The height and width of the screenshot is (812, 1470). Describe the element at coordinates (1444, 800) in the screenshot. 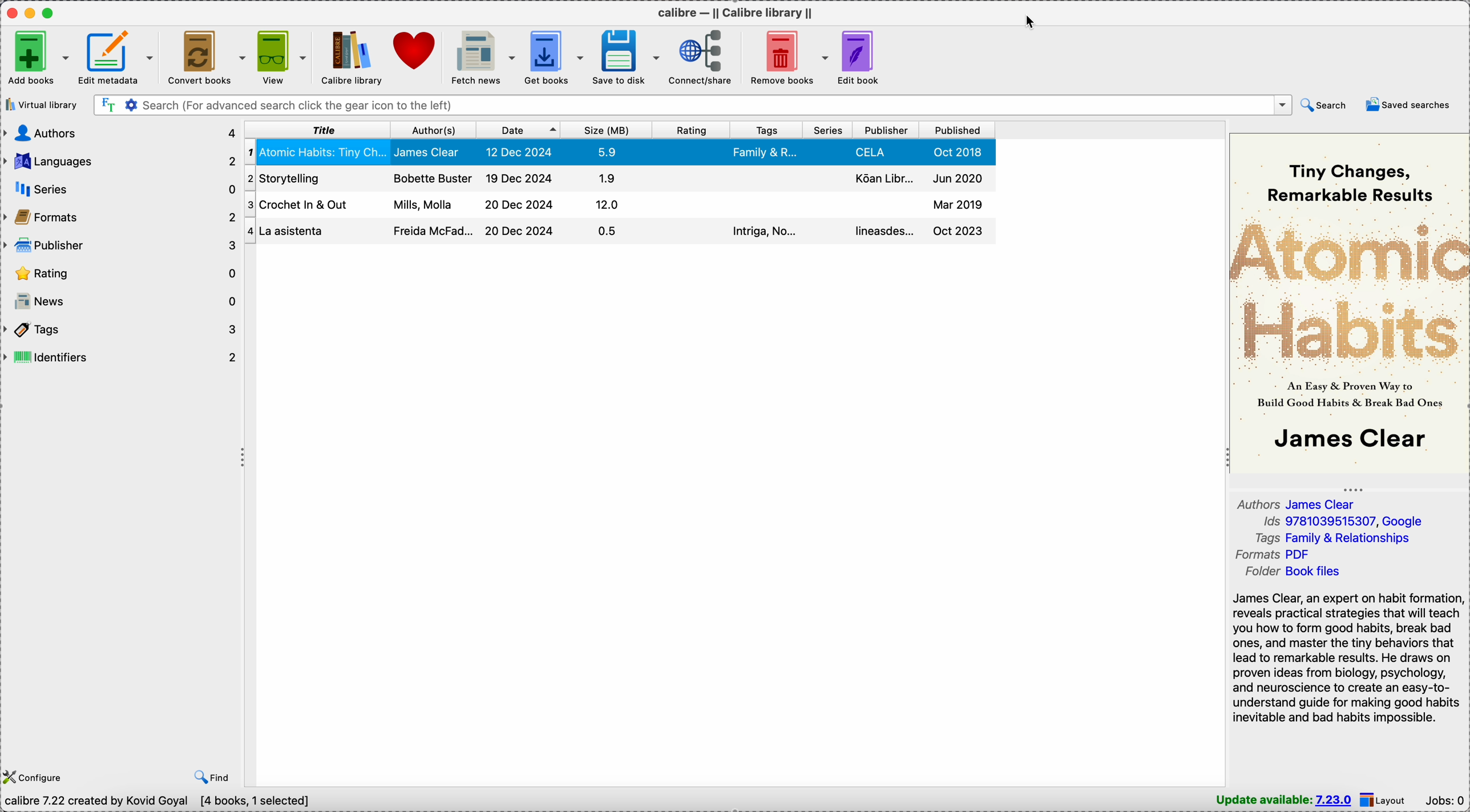

I see `Jobs: 0` at that location.